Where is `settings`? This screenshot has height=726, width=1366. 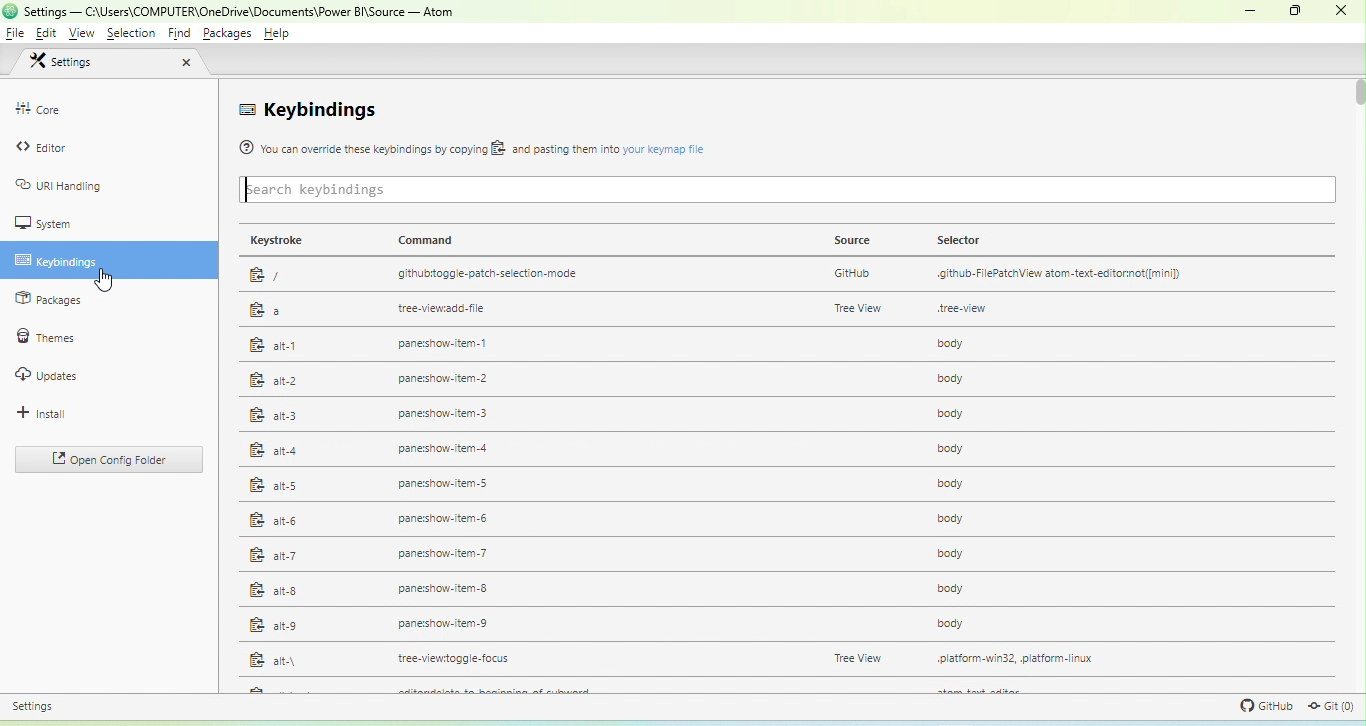
settings is located at coordinates (62, 62).